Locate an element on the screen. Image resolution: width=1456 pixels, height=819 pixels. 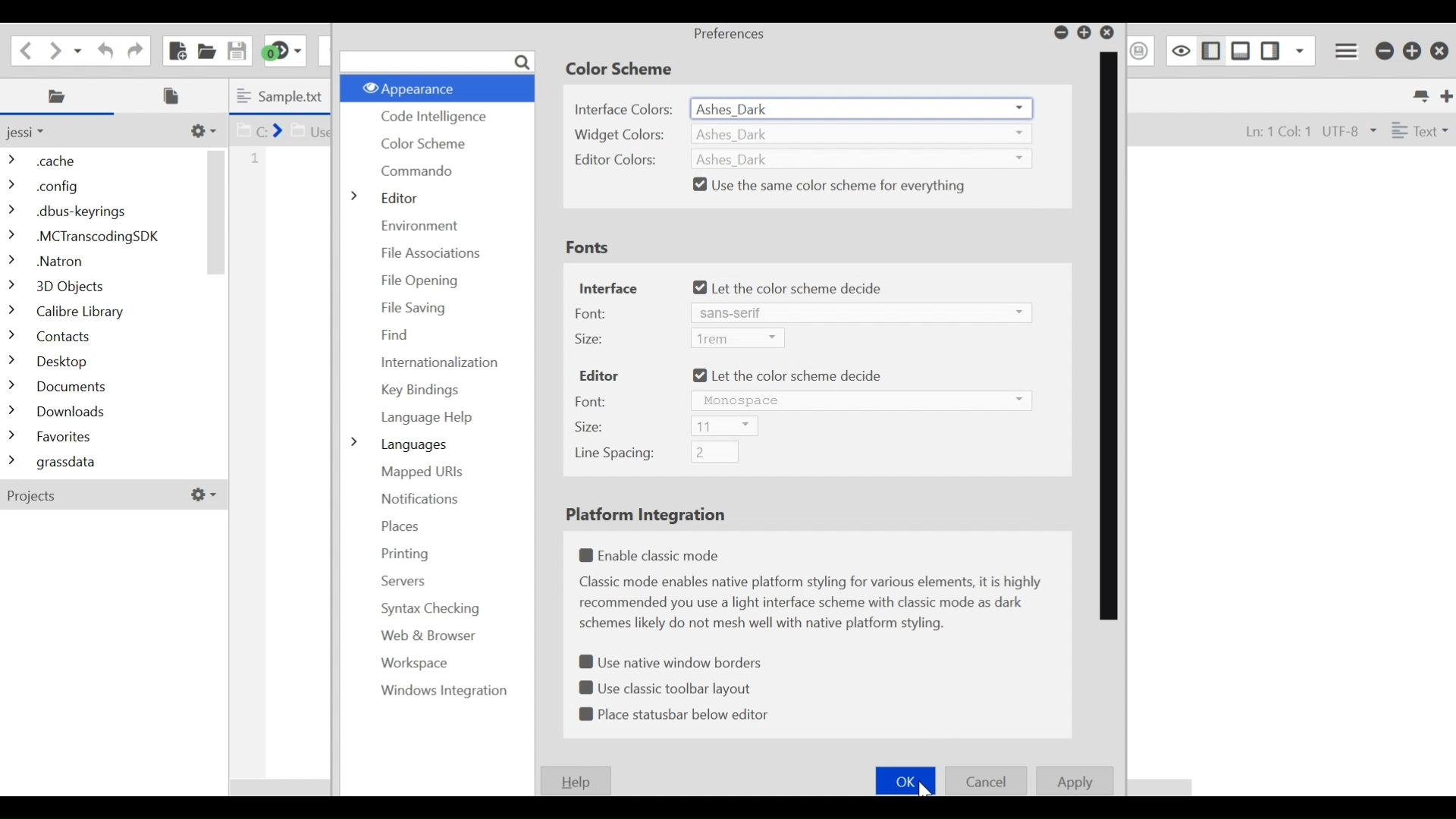
Cursor is located at coordinates (927, 792).